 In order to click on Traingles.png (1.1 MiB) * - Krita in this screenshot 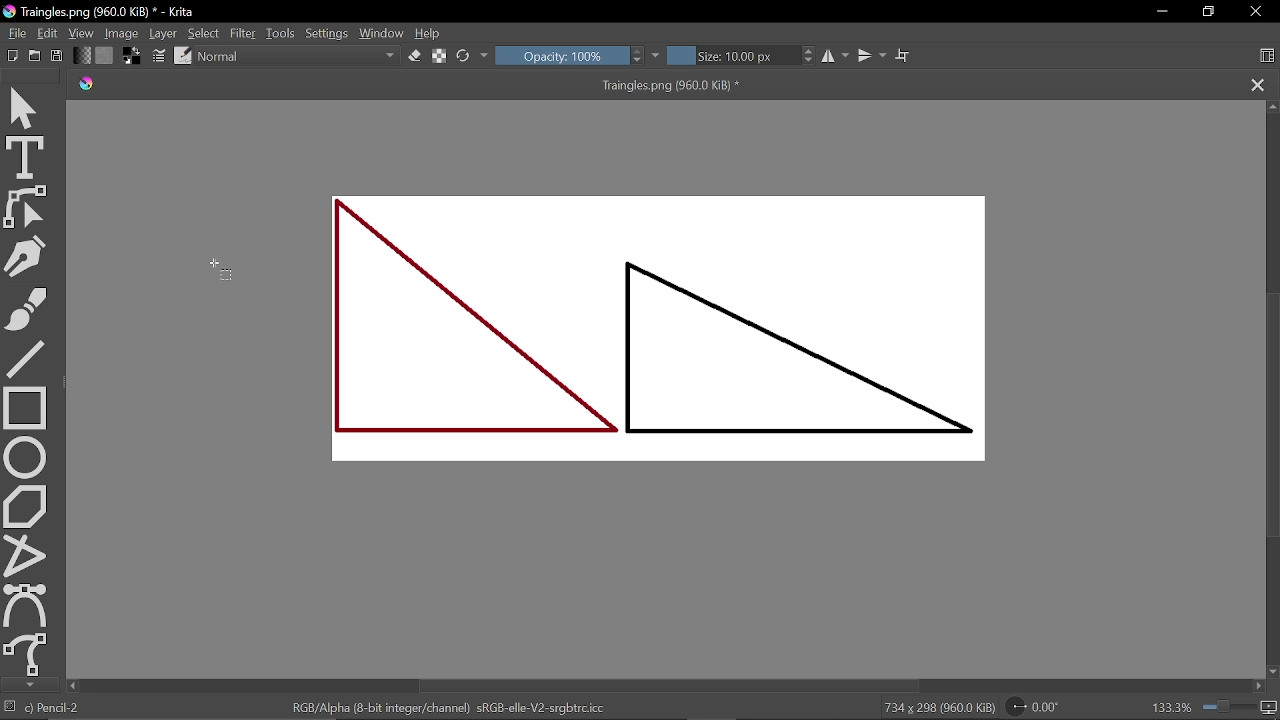, I will do `click(100, 12)`.